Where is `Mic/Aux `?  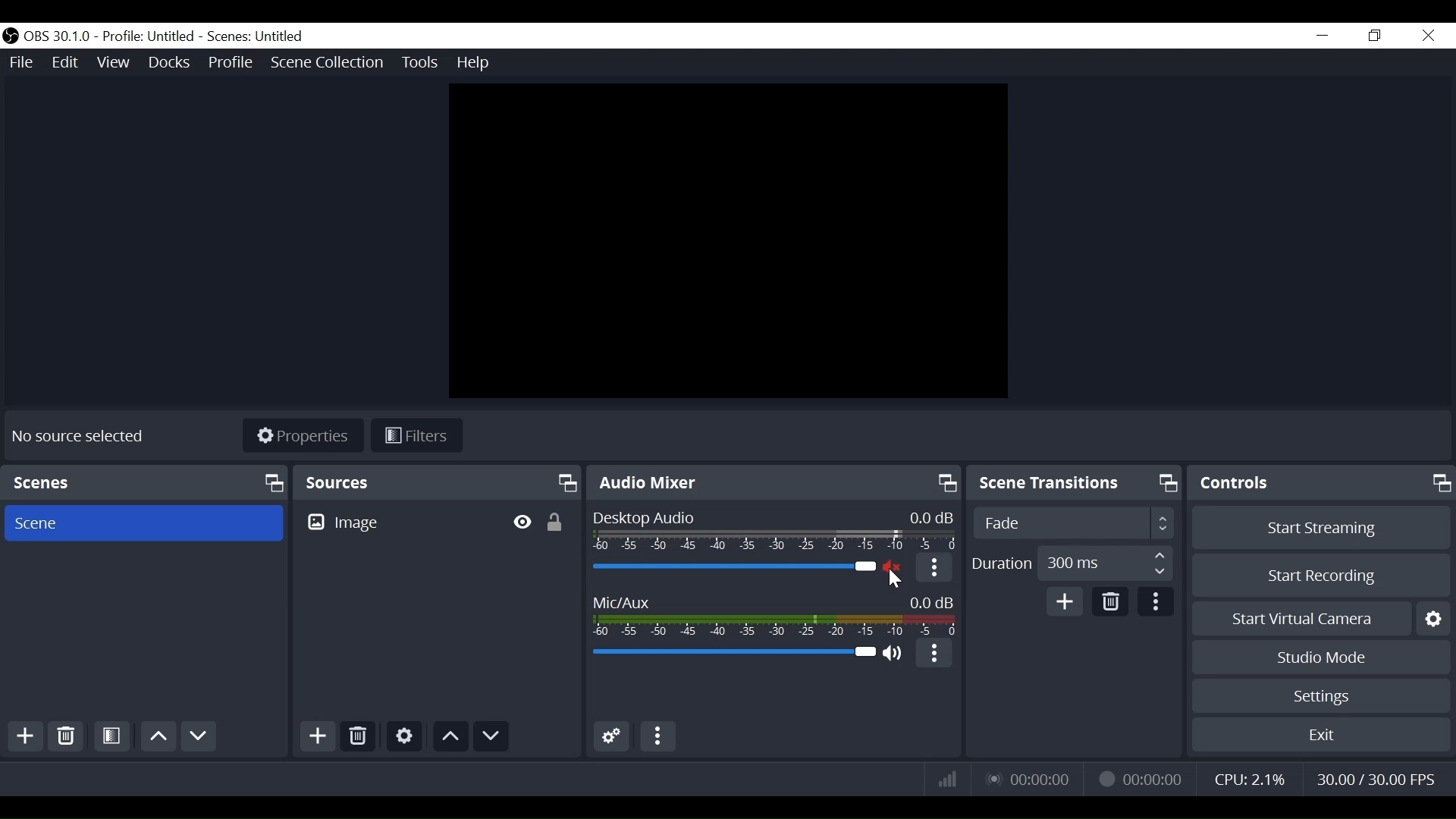 Mic/Aux  is located at coordinates (776, 616).